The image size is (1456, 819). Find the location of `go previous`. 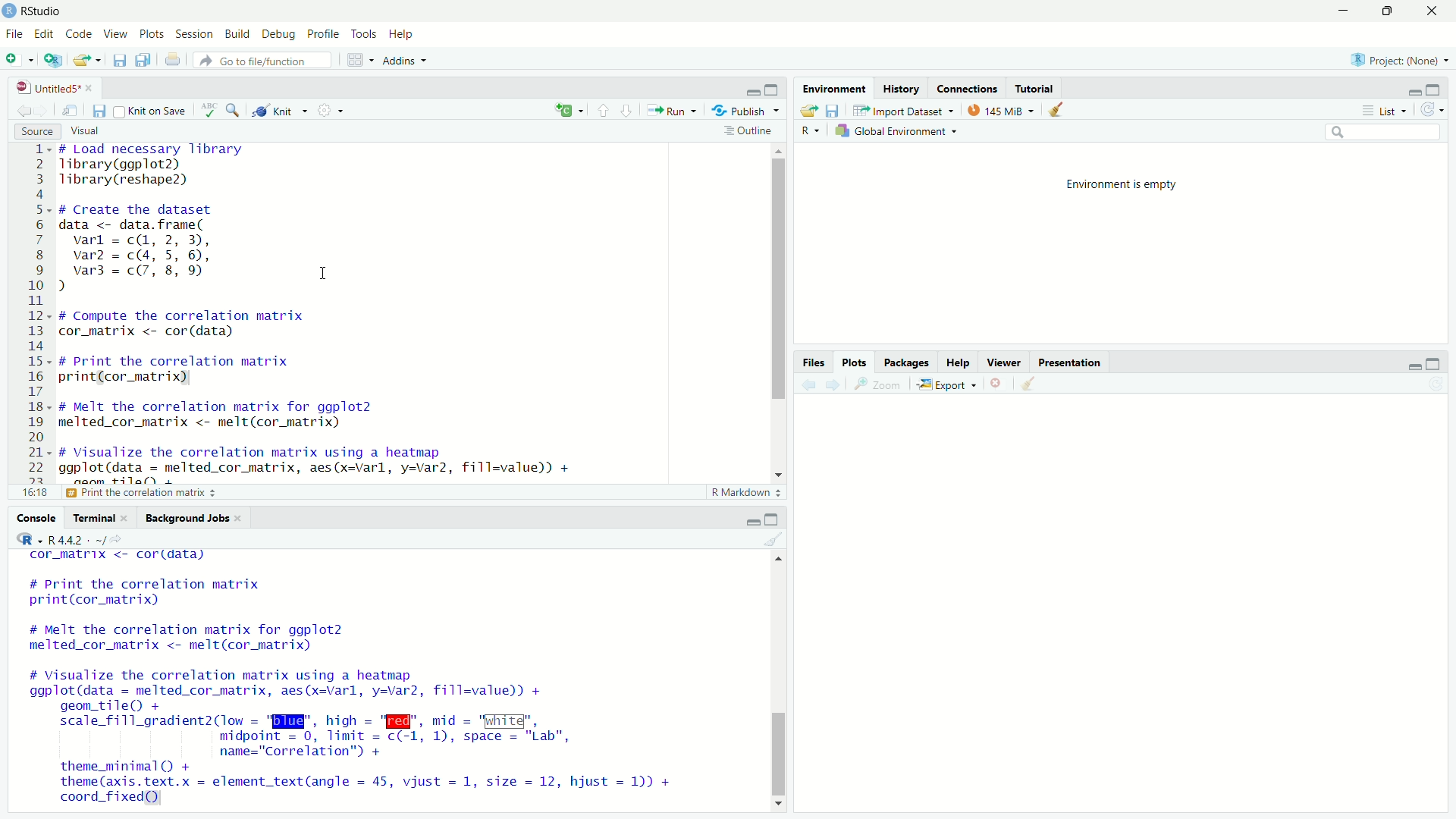

go previous is located at coordinates (24, 109).